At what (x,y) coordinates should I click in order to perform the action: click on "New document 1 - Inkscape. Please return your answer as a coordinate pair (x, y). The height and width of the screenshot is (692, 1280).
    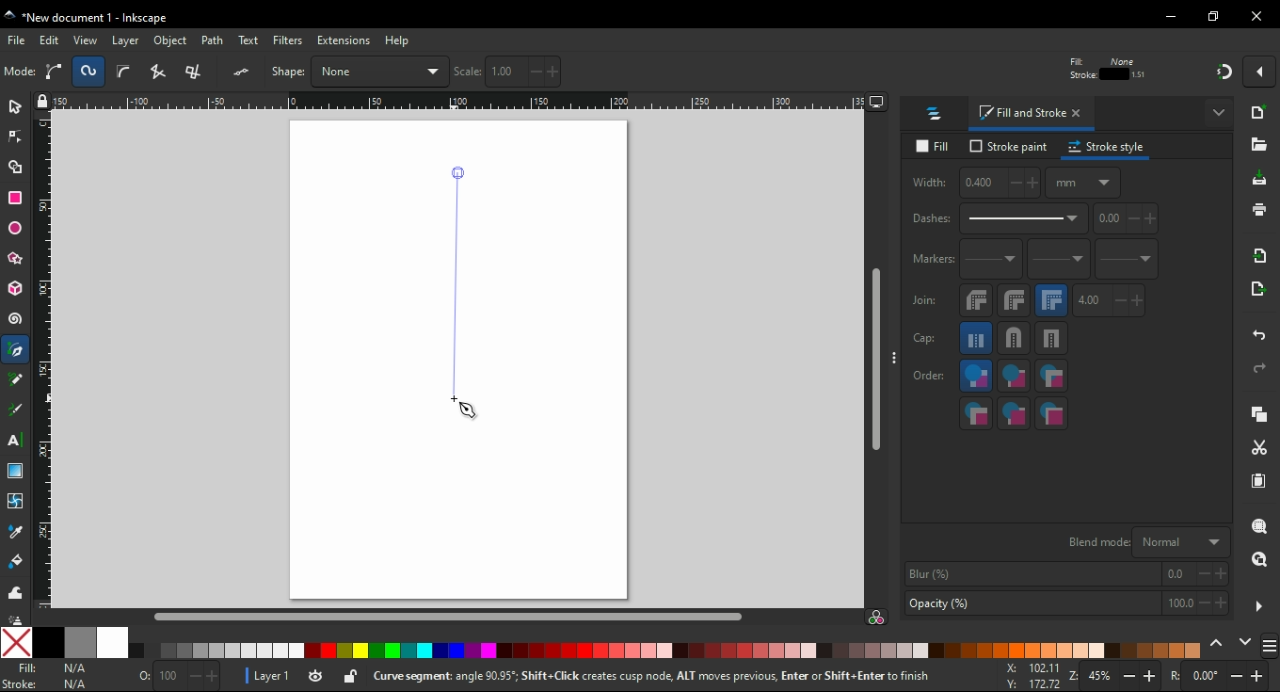
    Looking at the image, I should click on (88, 19).